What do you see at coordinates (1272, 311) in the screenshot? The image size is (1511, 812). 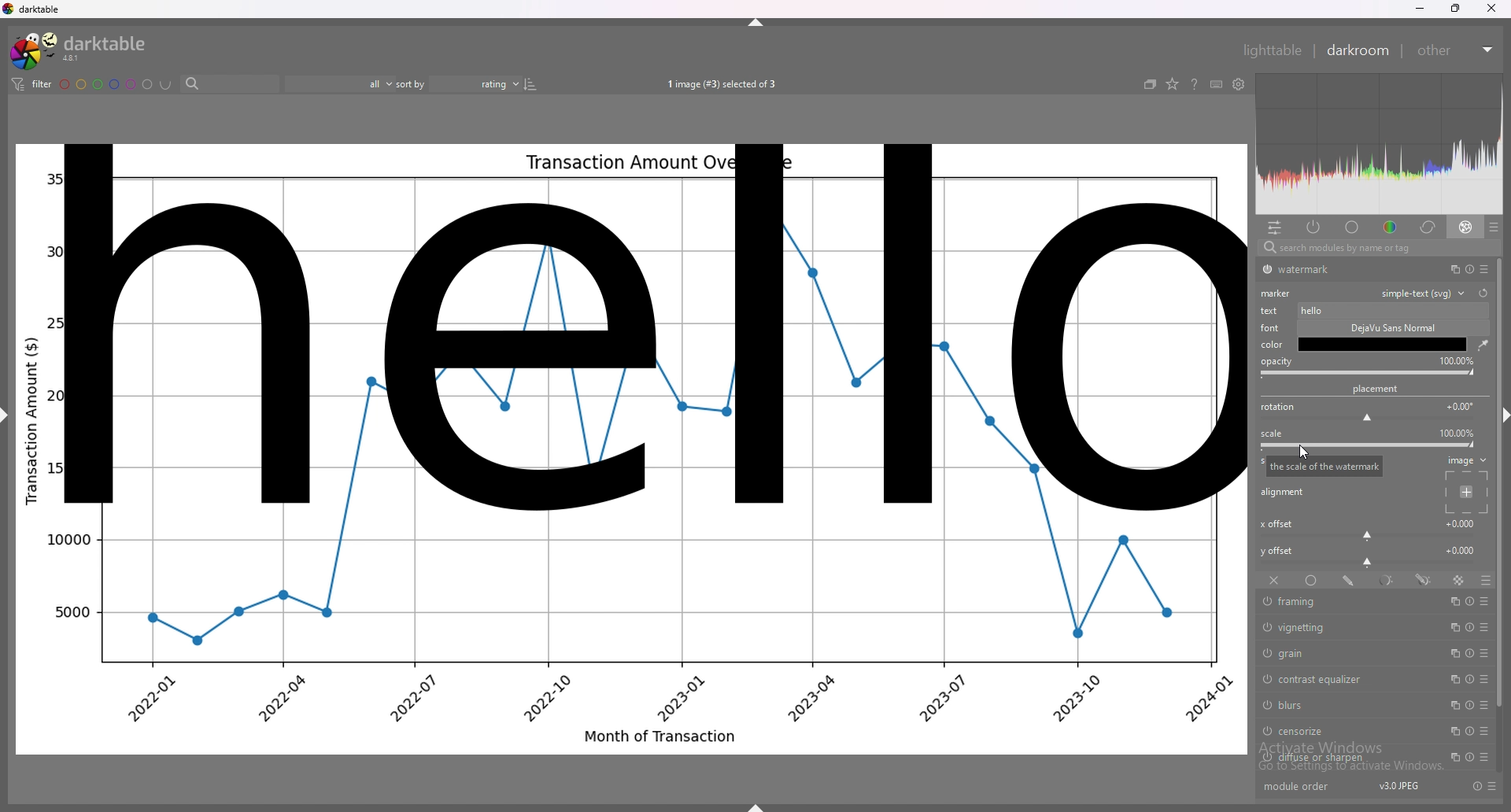 I see `text` at bounding box center [1272, 311].